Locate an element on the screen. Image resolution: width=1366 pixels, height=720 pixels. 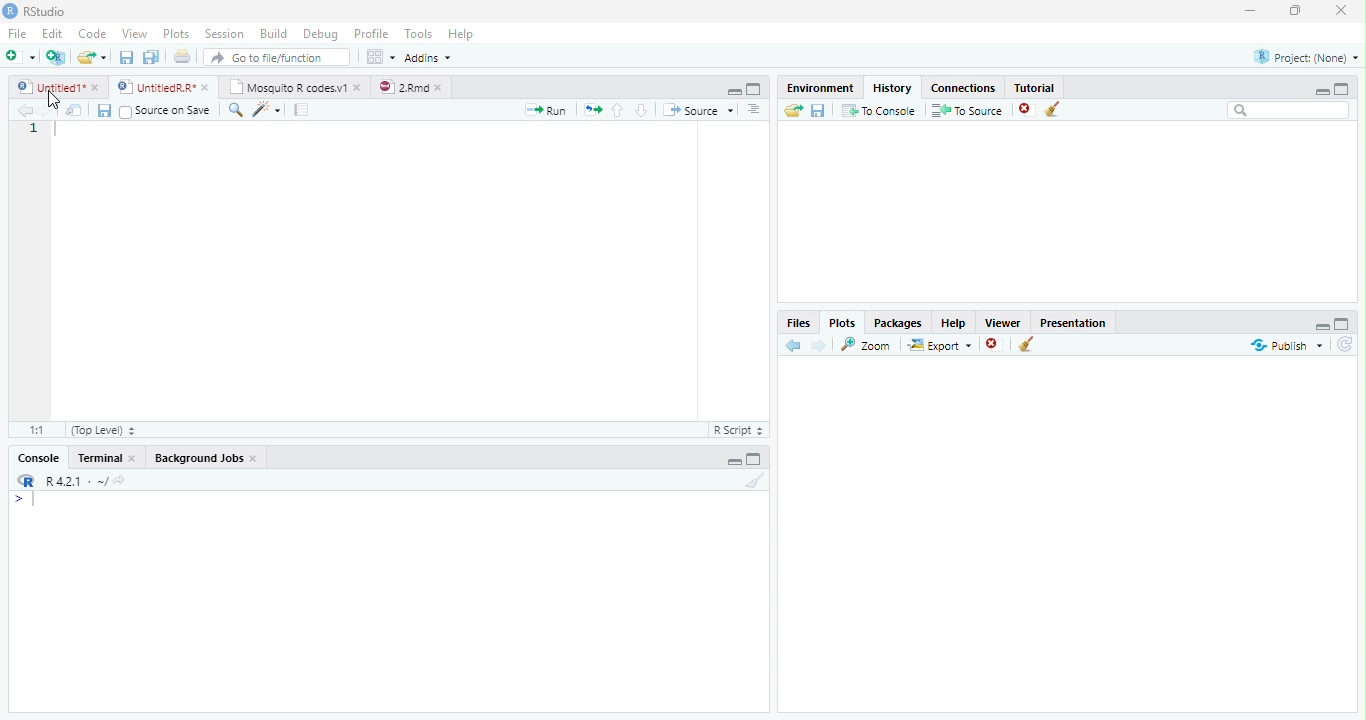
Go to file/function is located at coordinates (275, 57).